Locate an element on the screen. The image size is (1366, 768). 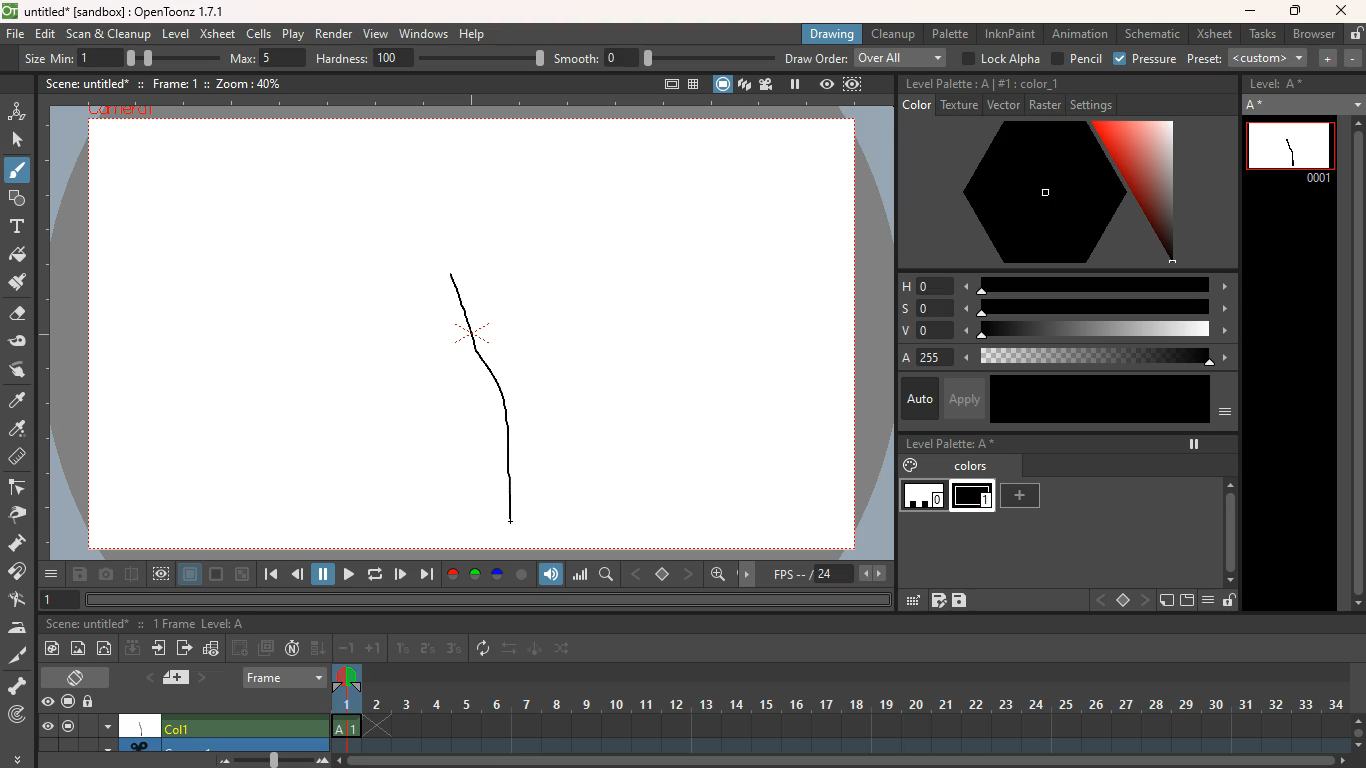
cleanup is located at coordinates (892, 34).